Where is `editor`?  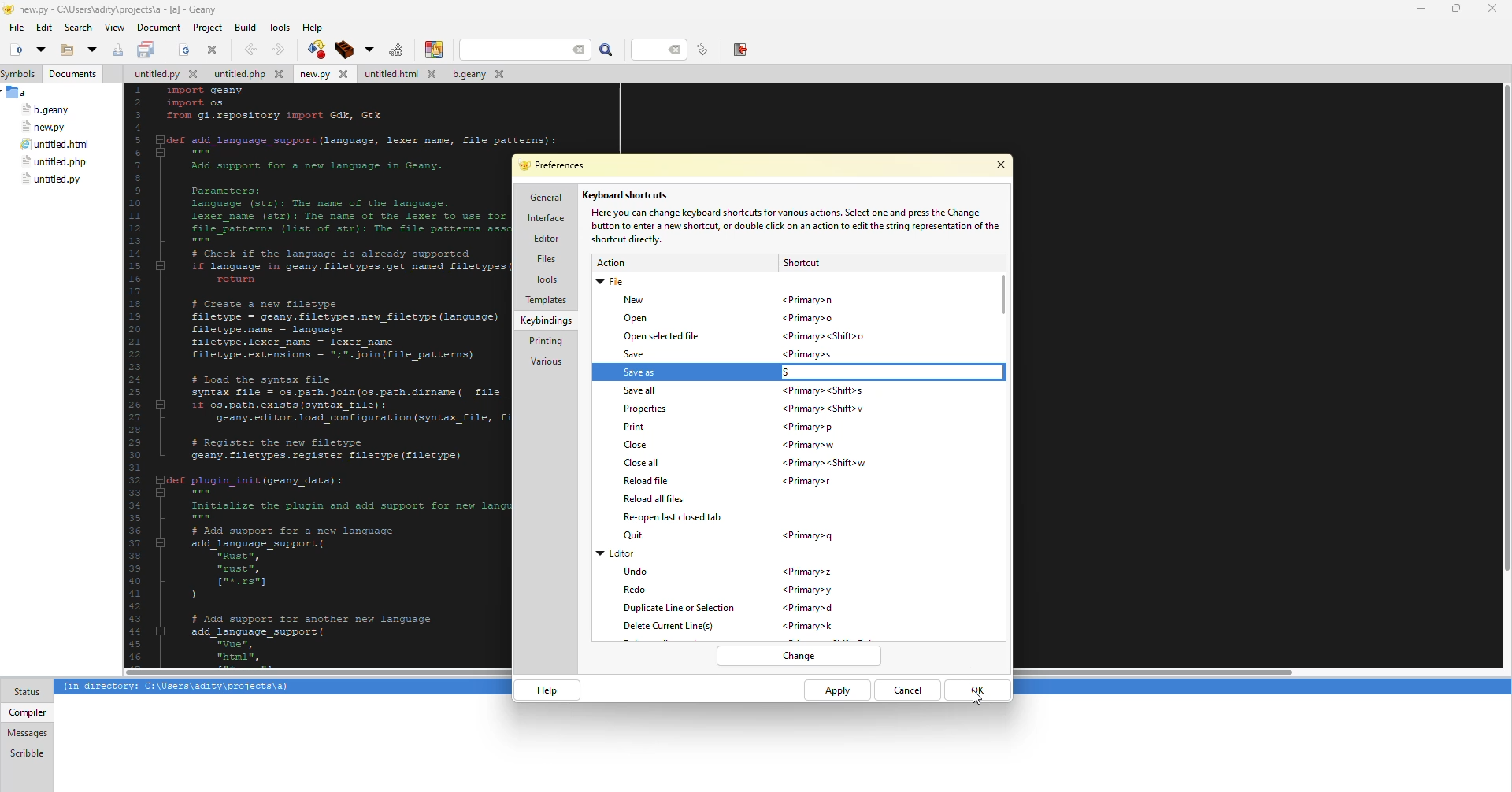 editor is located at coordinates (616, 553).